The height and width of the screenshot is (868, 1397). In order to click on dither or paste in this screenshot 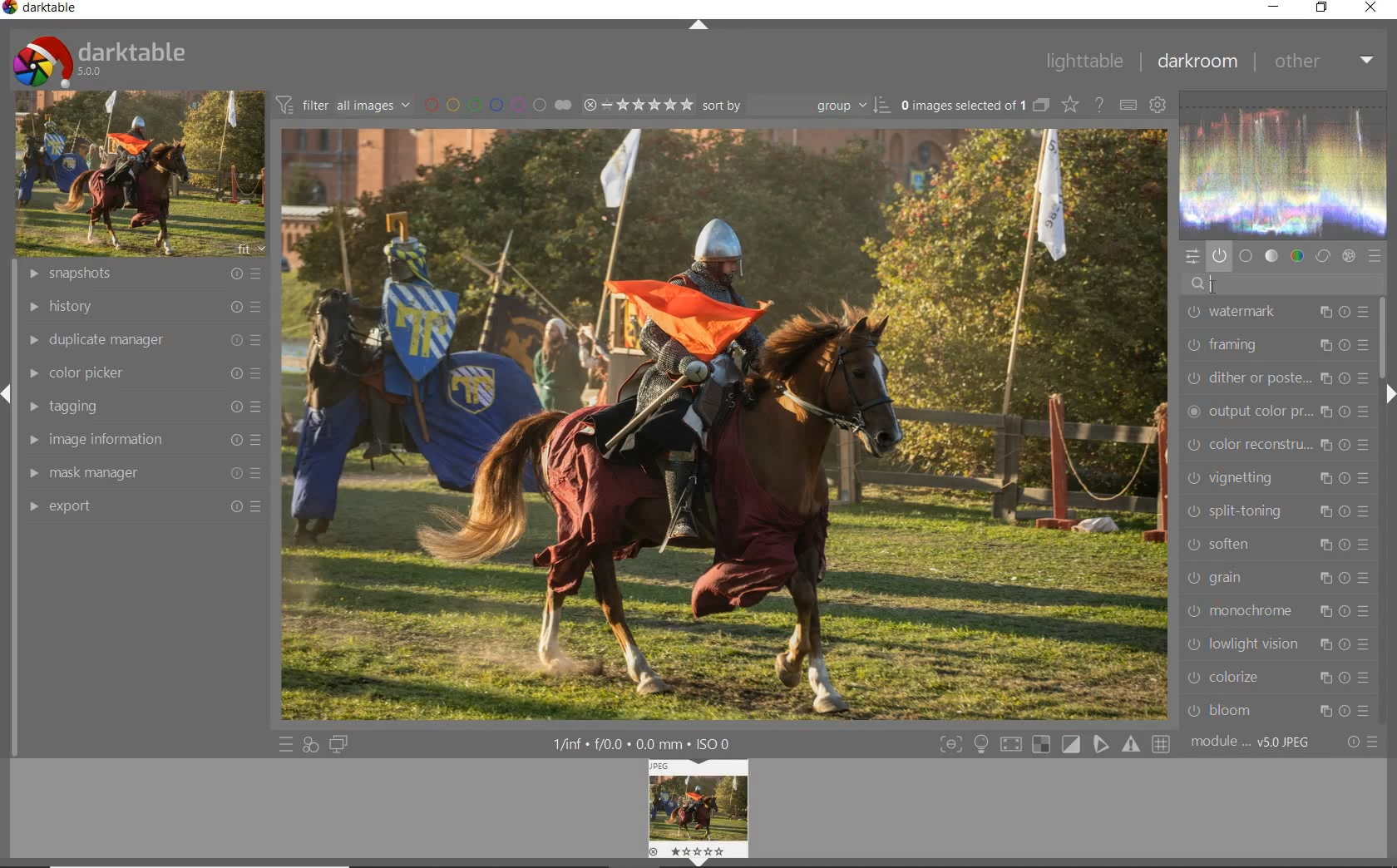, I will do `click(1274, 379)`.